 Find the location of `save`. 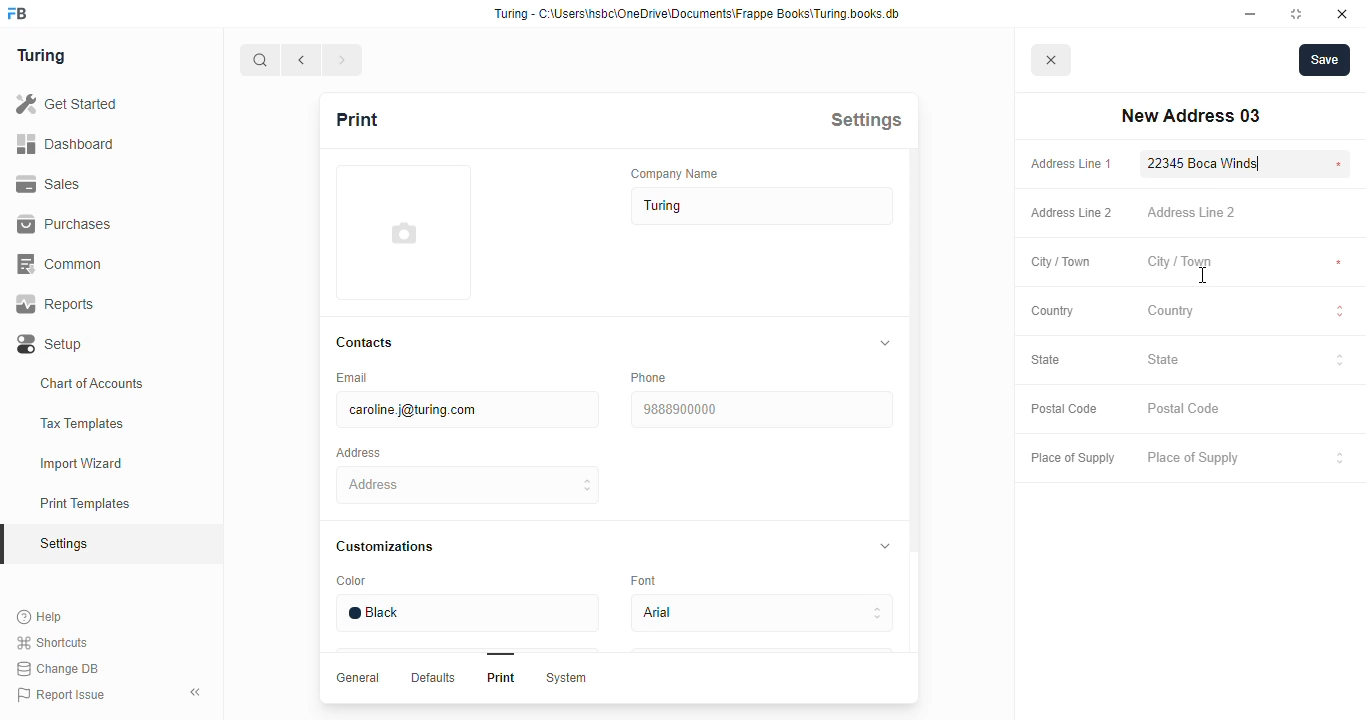

save is located at coordinates (1325, 60).